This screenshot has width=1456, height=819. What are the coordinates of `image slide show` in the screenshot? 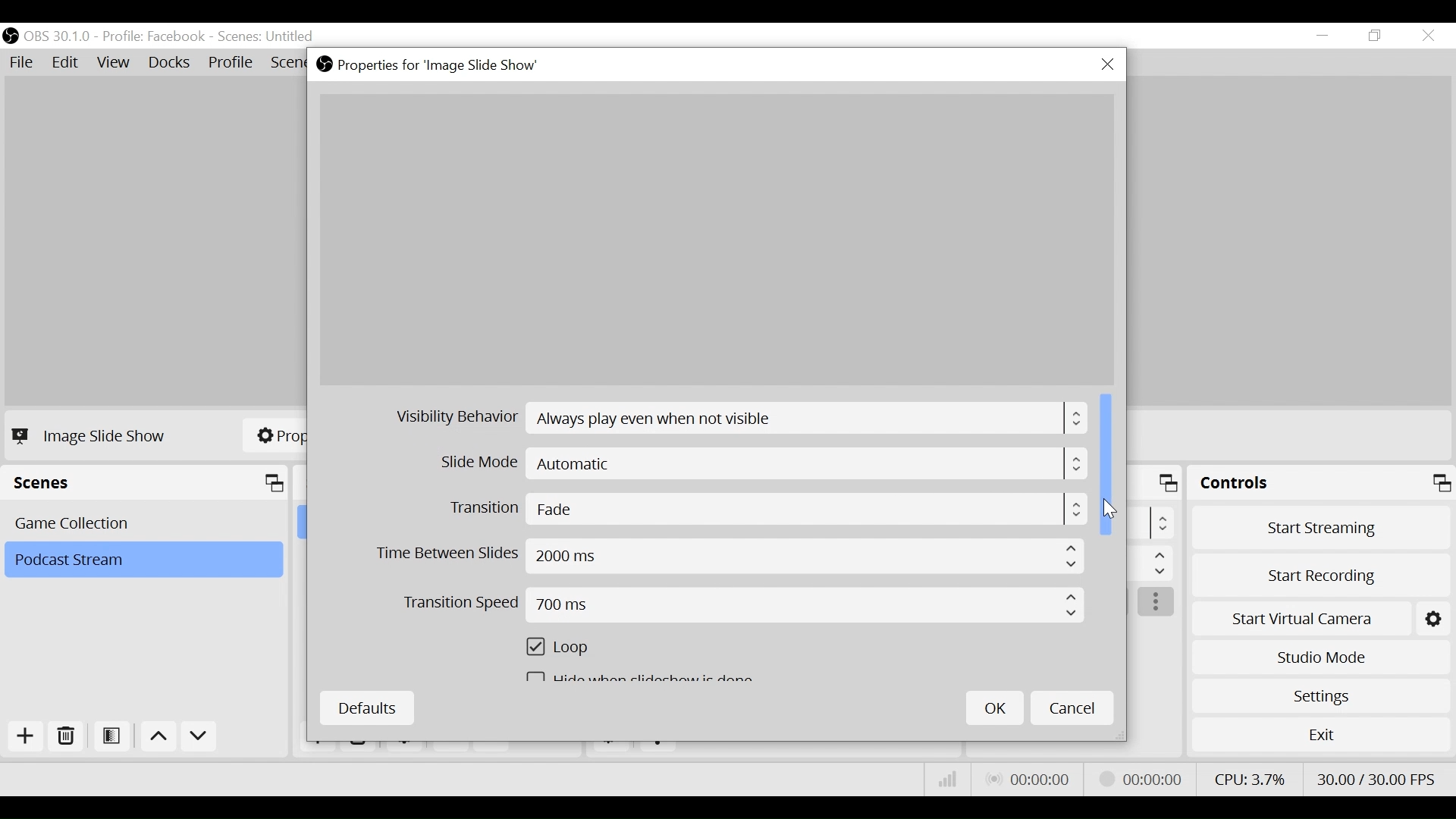 It's located at (93, 435).